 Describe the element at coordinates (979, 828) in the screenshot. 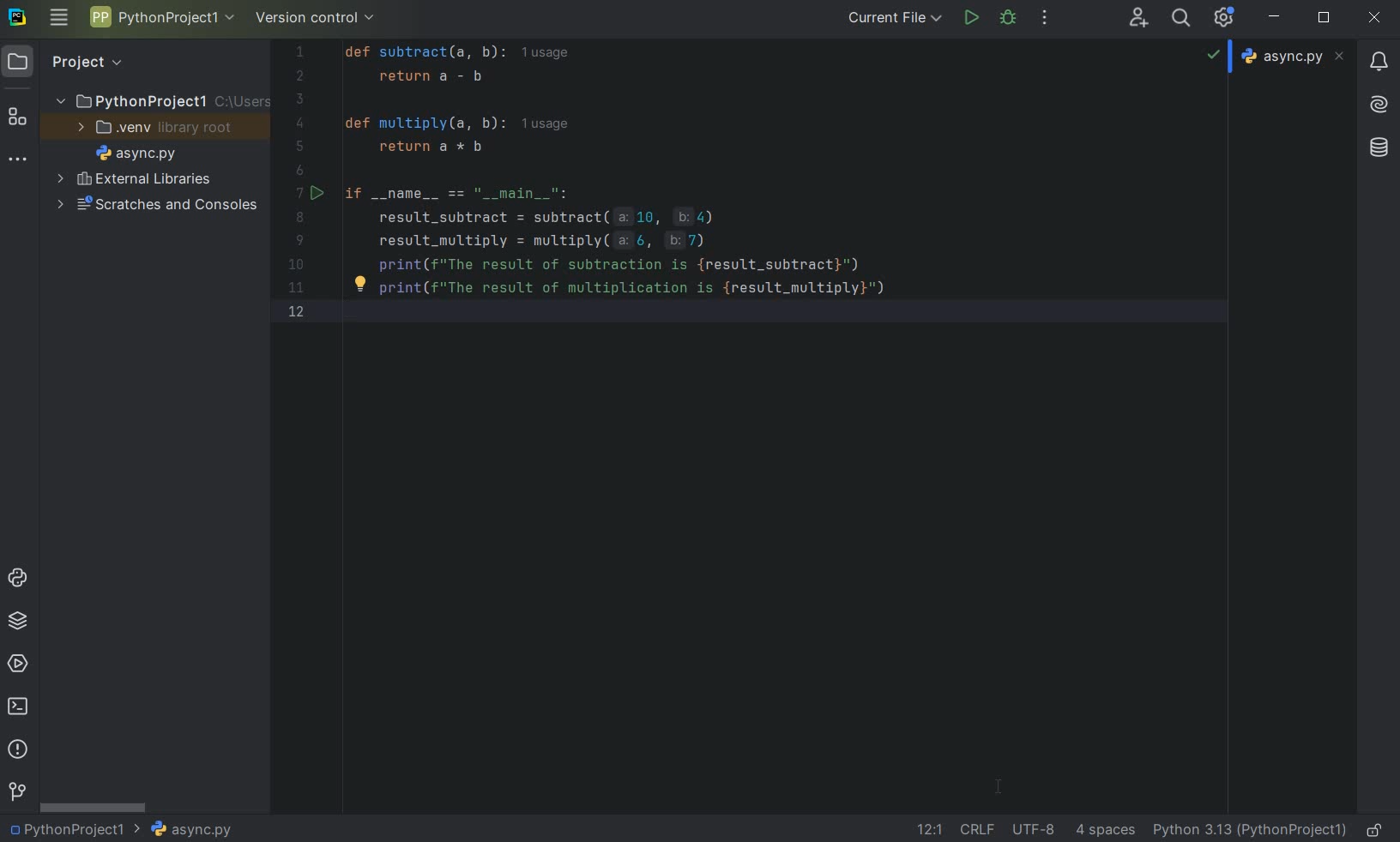

I see `line separator` at that location.